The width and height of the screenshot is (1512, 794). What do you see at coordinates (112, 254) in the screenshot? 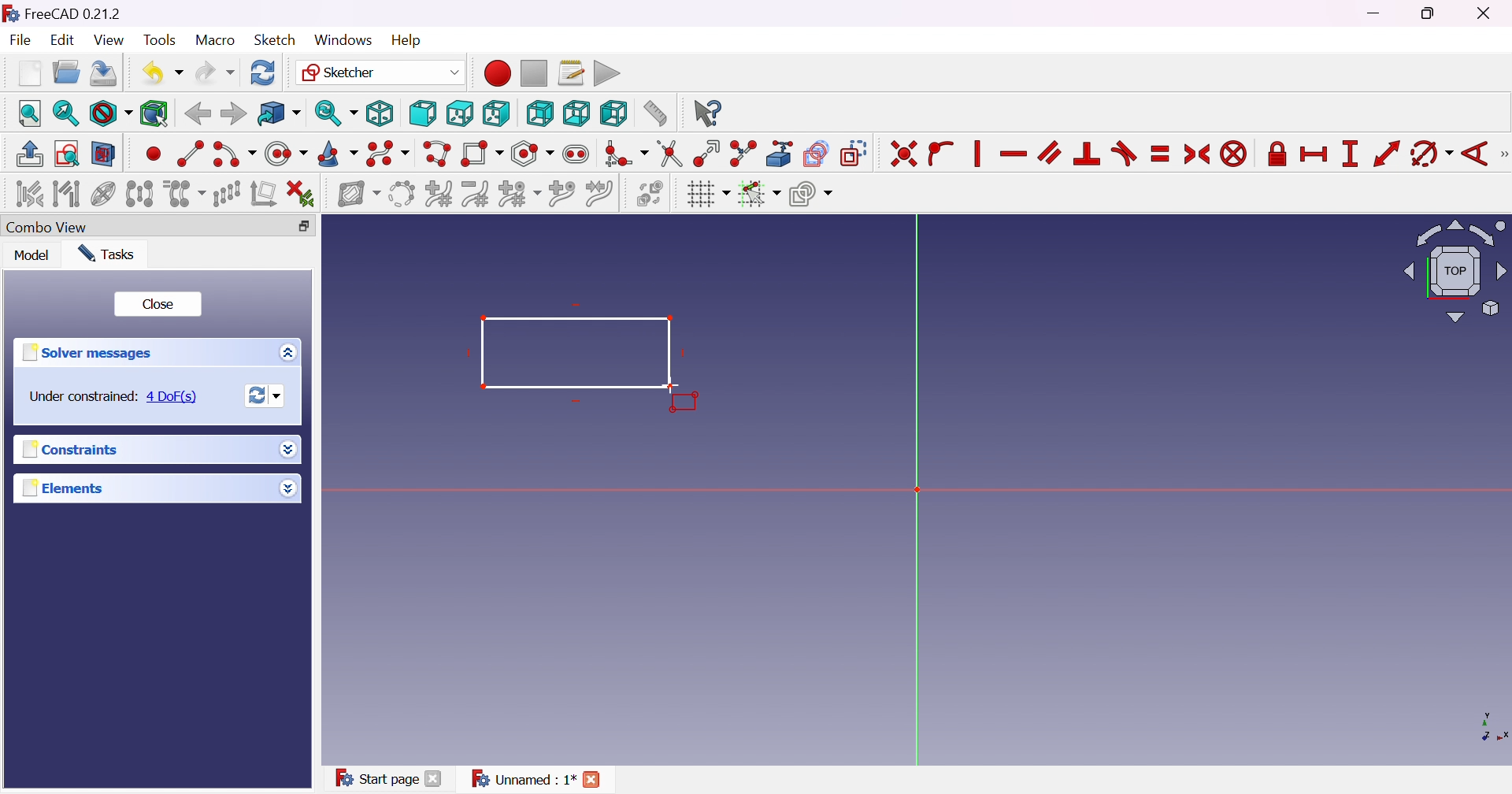
I see `Tasks` at bounding box center [112, 254].